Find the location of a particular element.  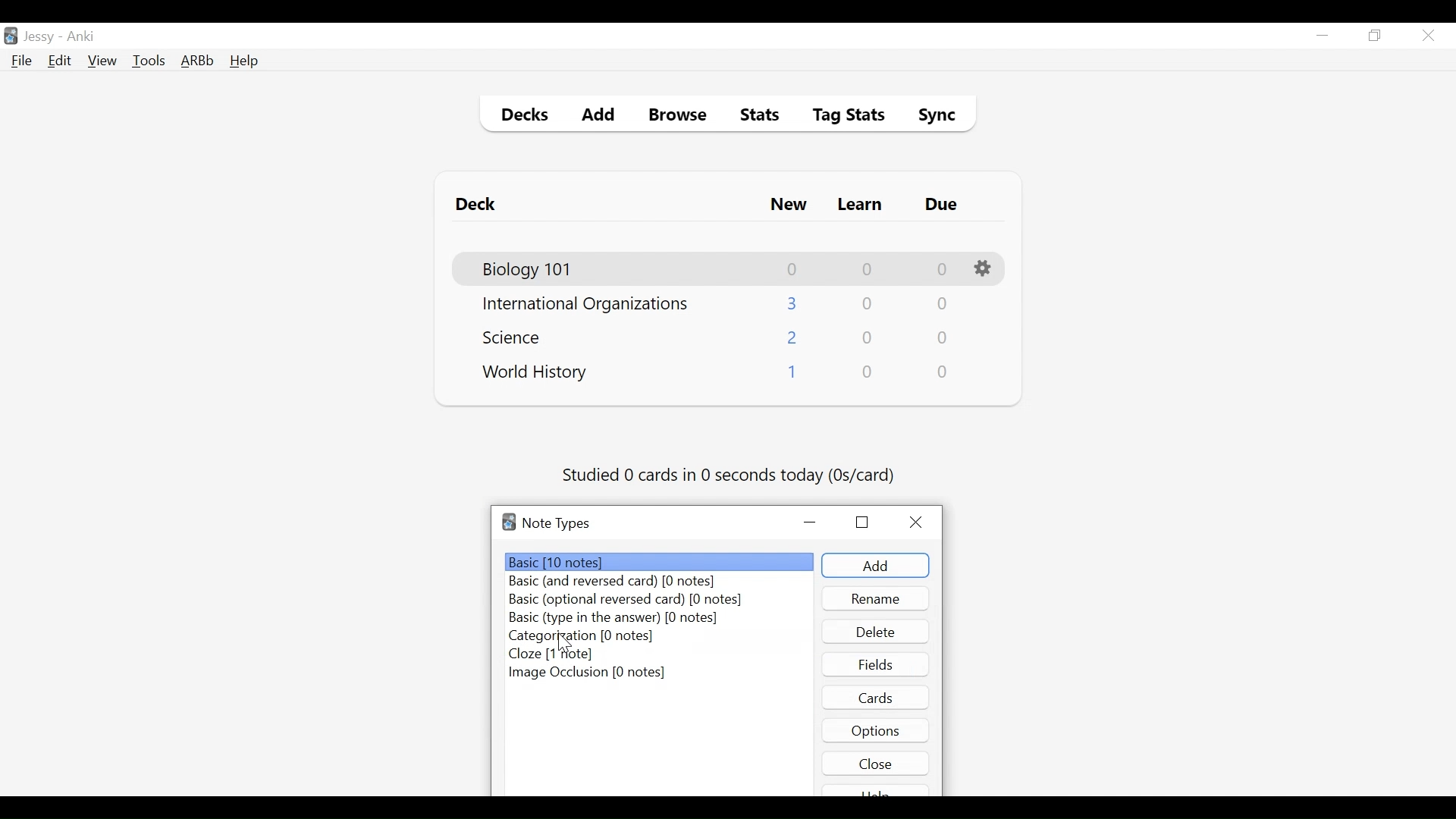

Note Types is located at coordinates (556, 523).